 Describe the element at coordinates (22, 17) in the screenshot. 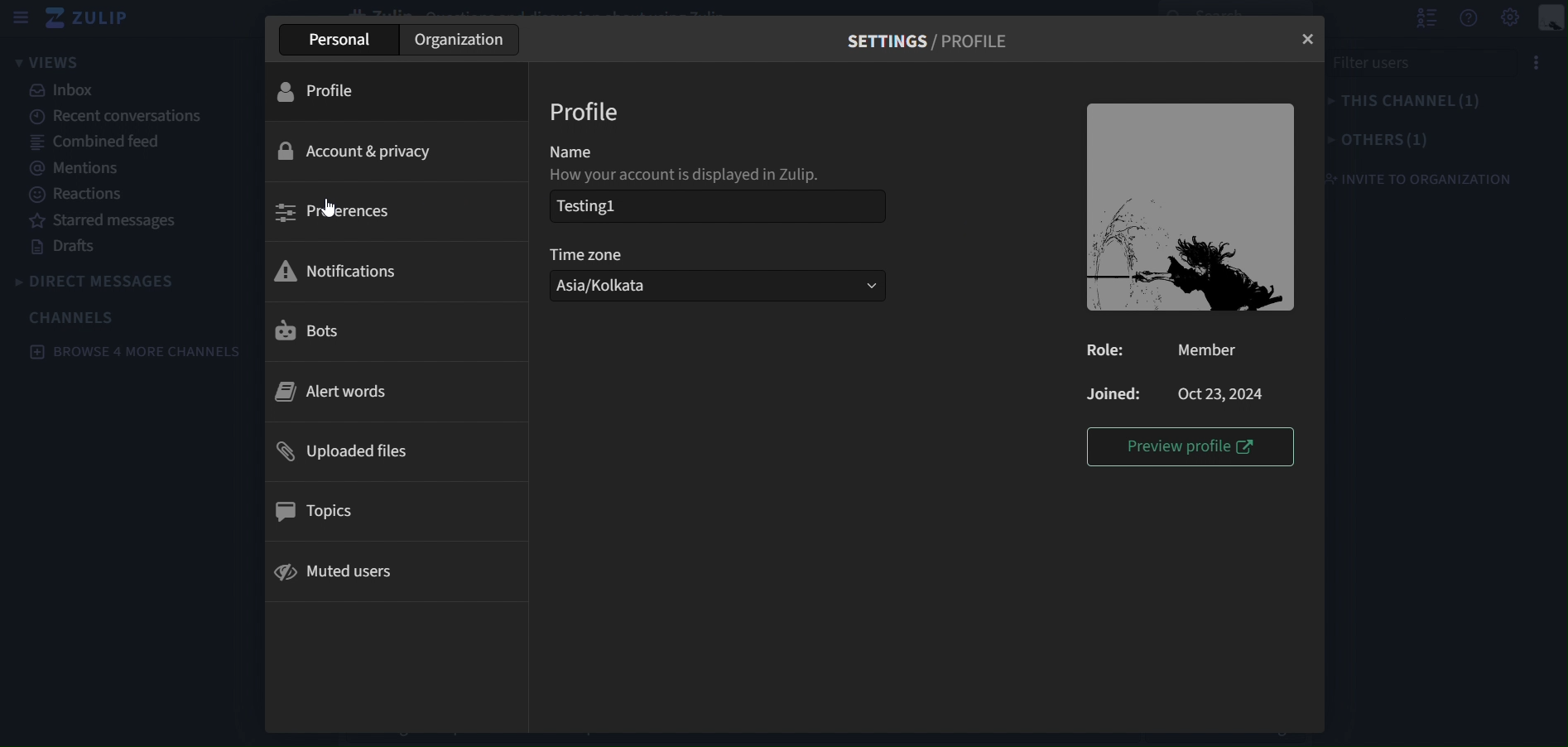

I see `sidebar` at that location.